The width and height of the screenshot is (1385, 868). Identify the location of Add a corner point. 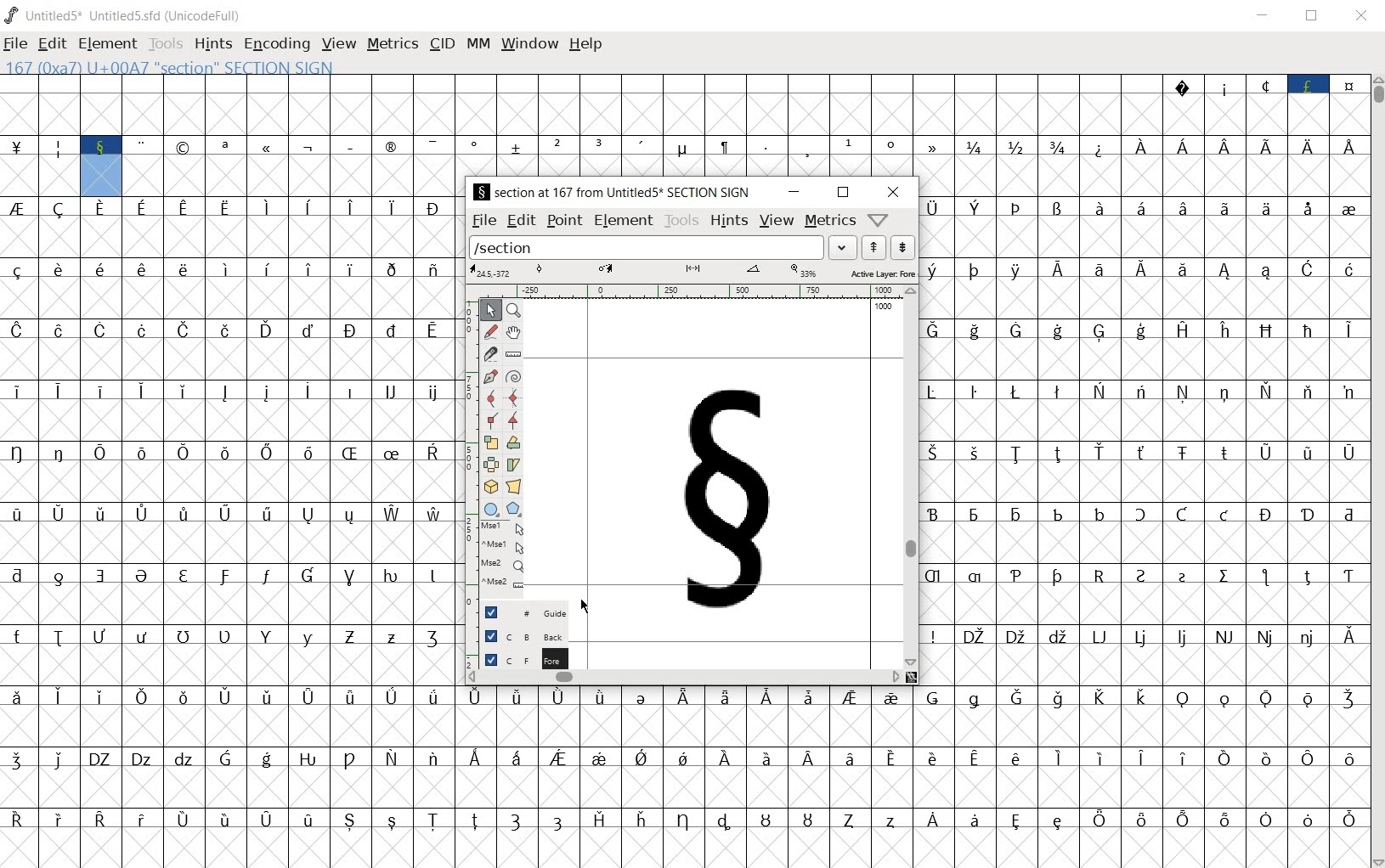
(492, 420).